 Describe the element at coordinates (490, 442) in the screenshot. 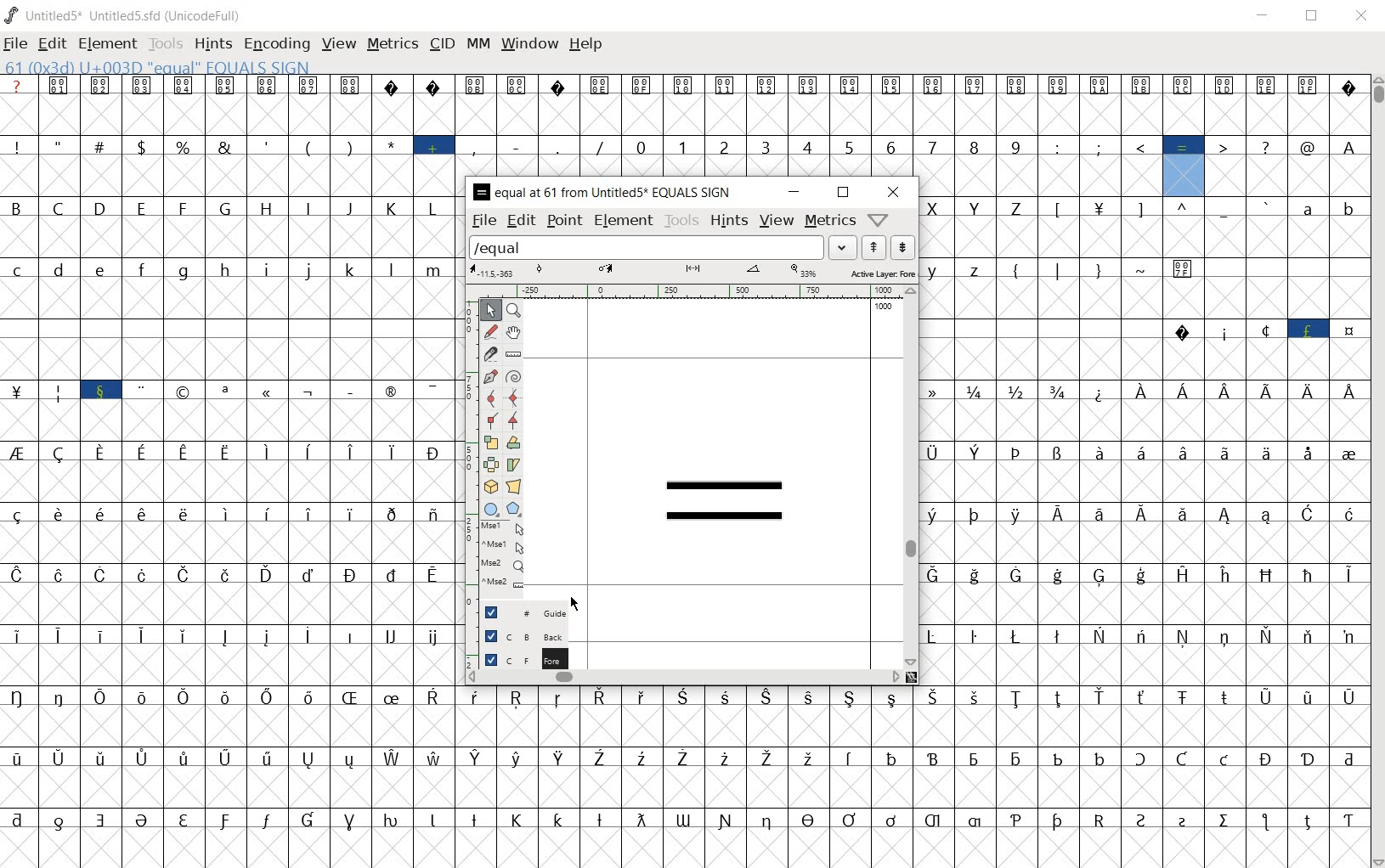

I see `scale the selection` at that location.